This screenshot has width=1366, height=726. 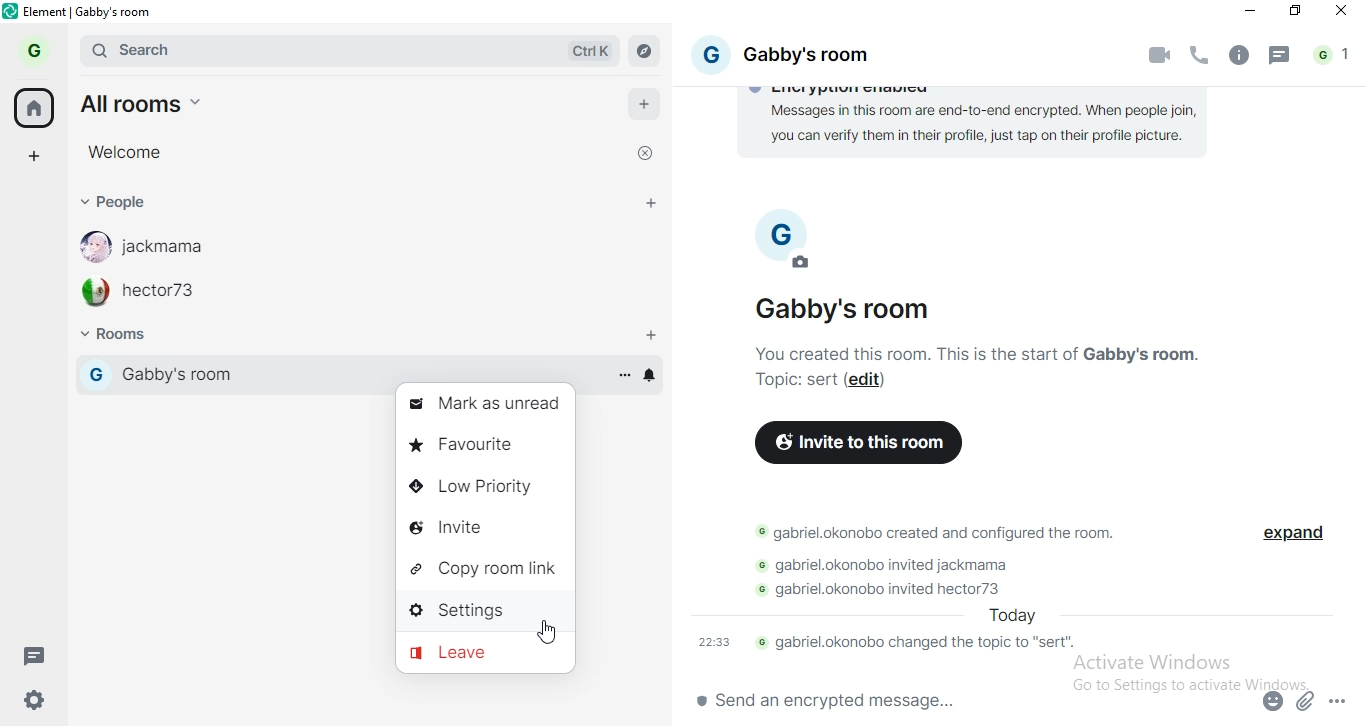 I want to click on all rooms, so click(x=161, y=103).